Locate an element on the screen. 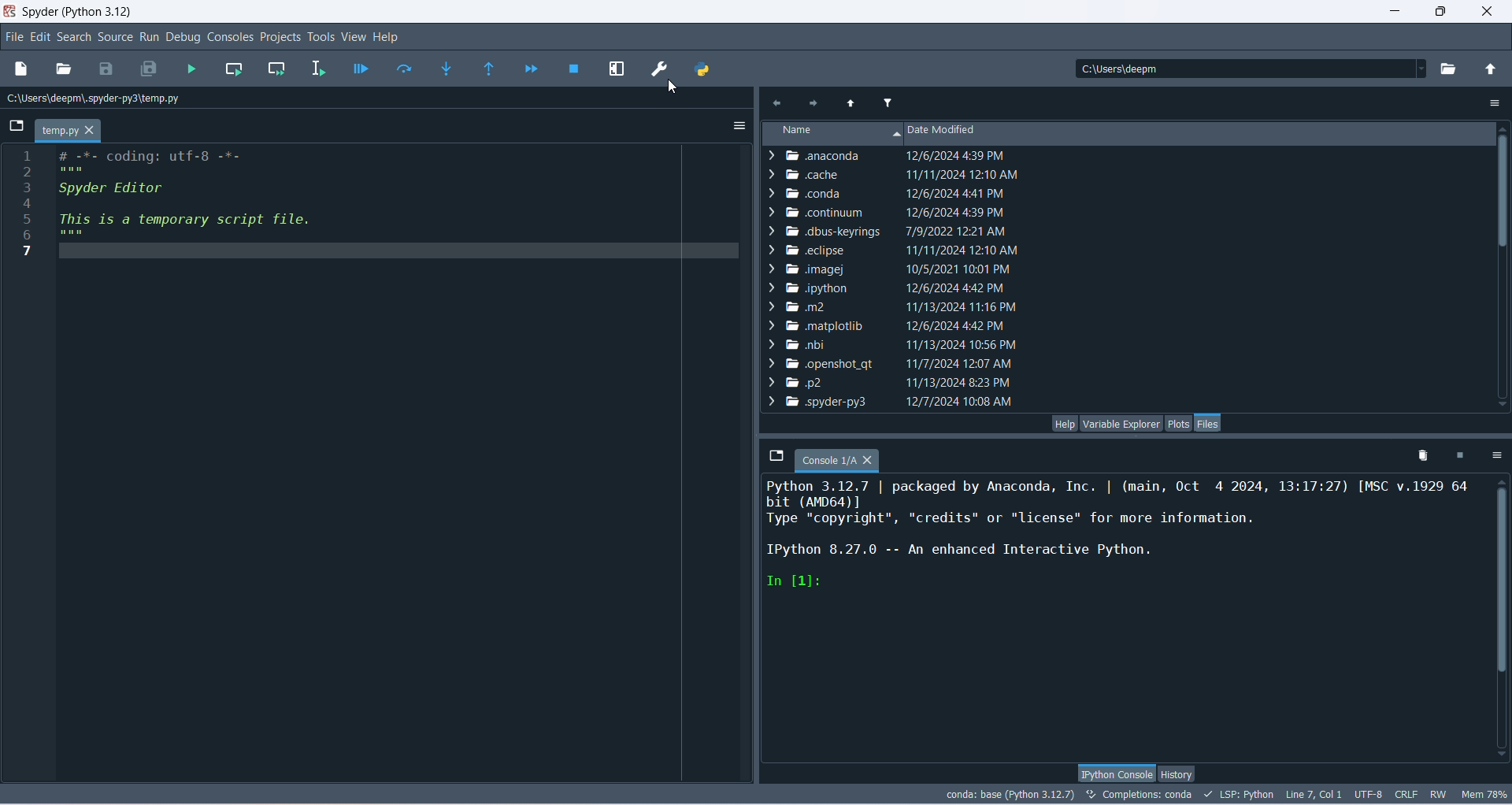 Image resolution: width=1512 pixels, height=805 pixels. ipython console pane text is located at coordinates (1121, 538).